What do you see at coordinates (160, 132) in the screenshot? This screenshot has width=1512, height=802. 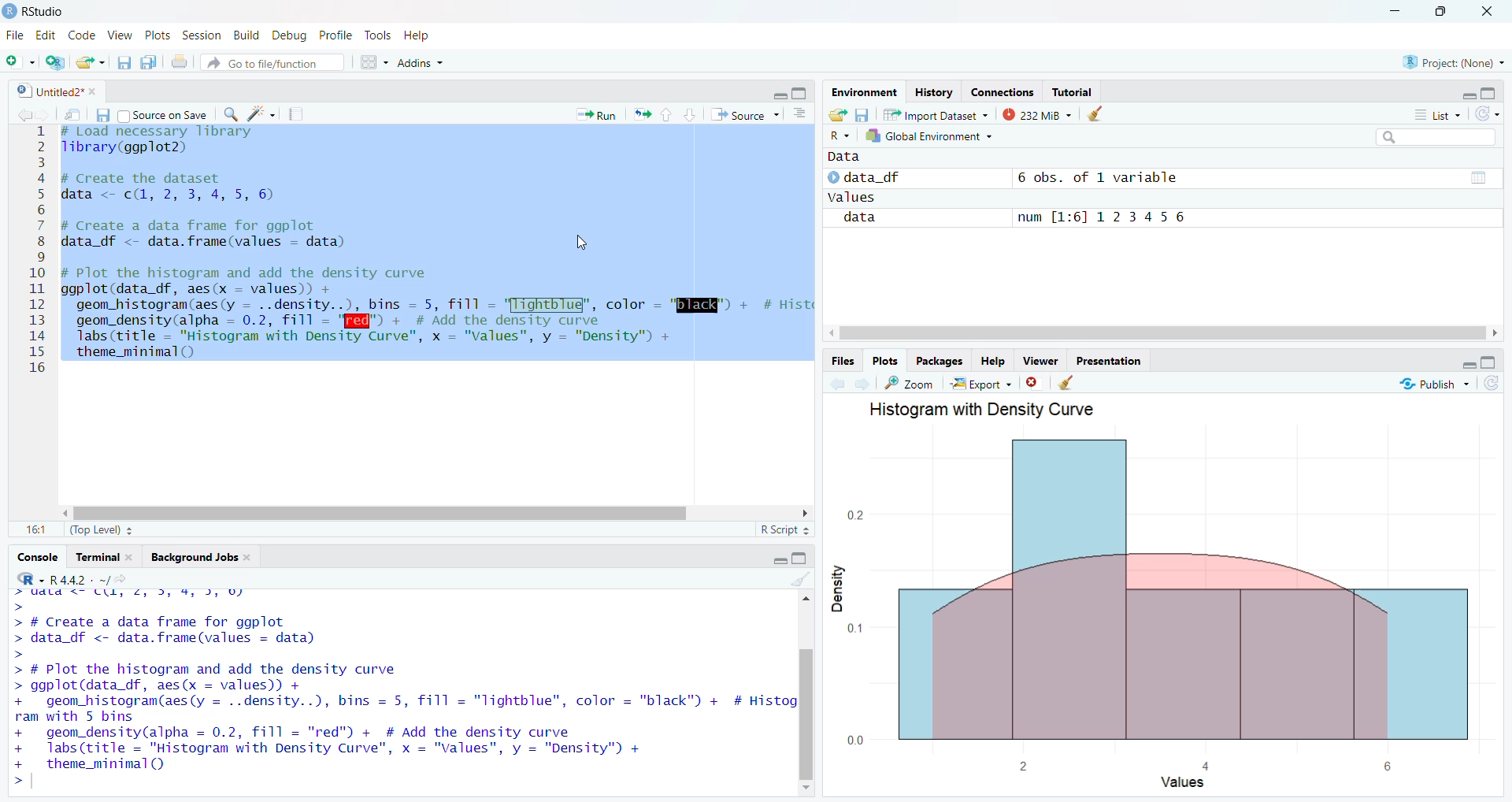 I see `#Load necessary library` at bounding box center [160, 132].